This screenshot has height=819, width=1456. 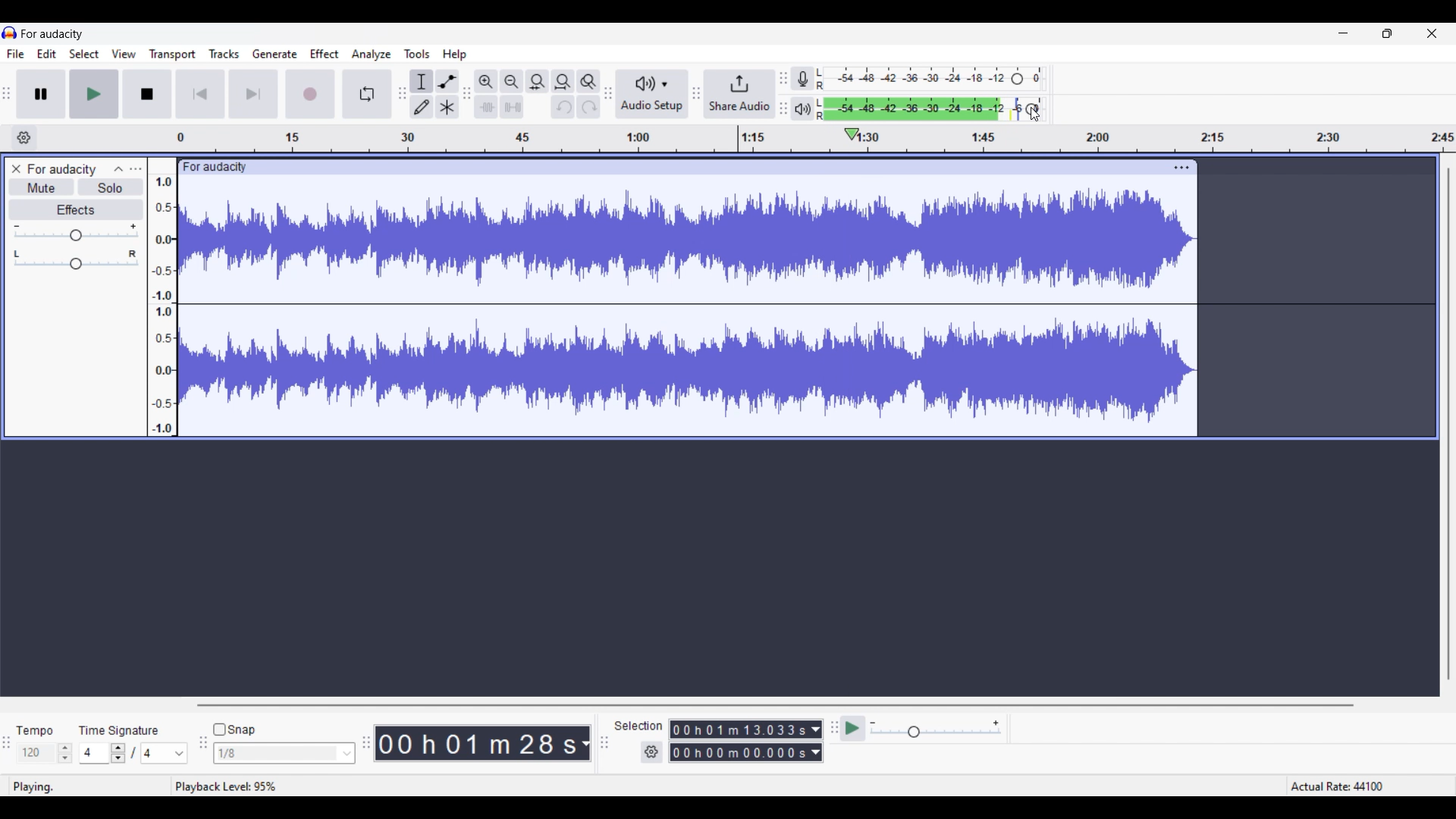 What do you see at coordinates (563, 82) in the screenshot?
I see `Fit project to width` at bounding box center [563, 82].